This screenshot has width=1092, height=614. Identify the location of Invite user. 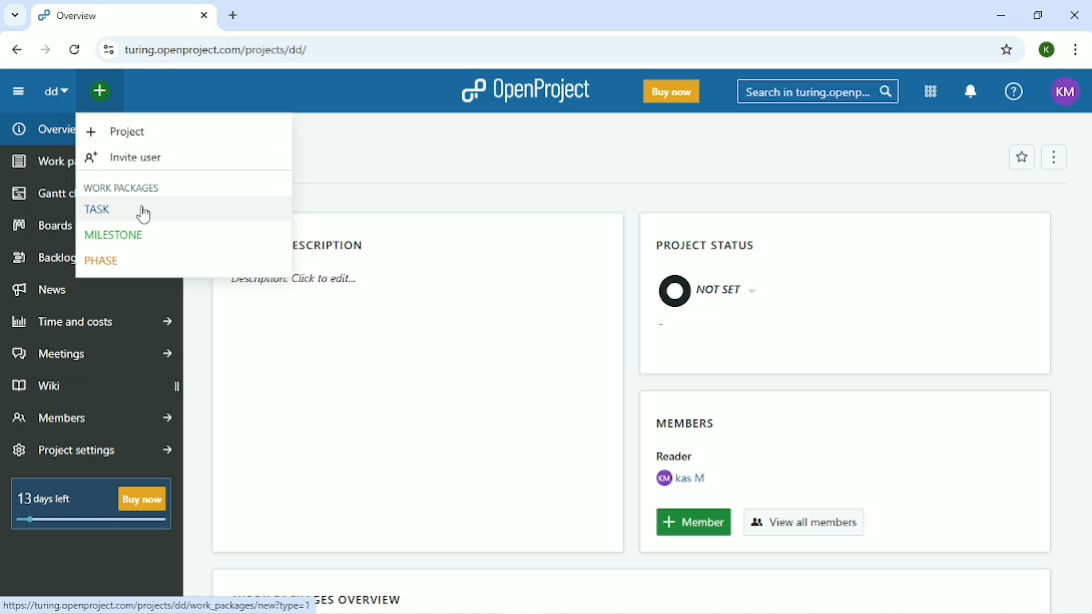
(126, 158).